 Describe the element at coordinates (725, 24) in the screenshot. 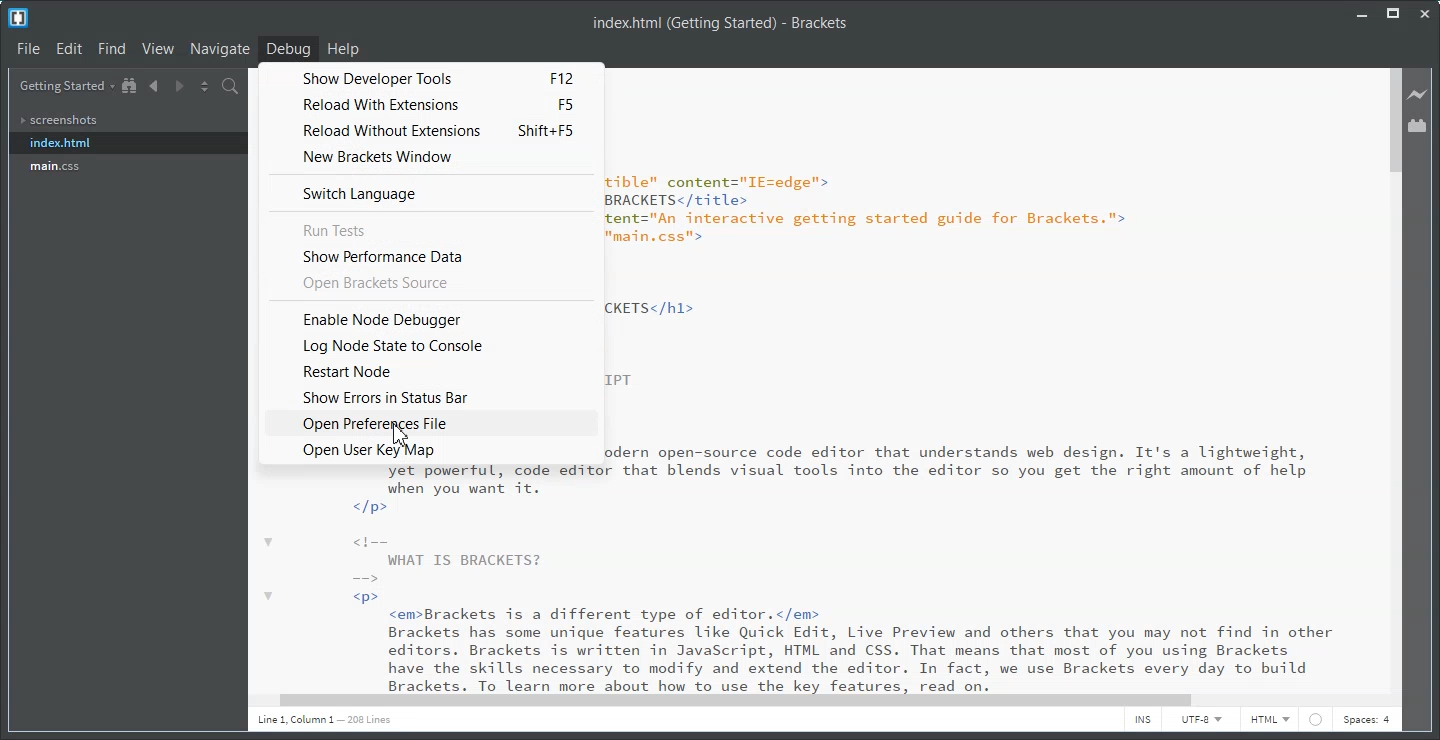

I see `Text` at that location.